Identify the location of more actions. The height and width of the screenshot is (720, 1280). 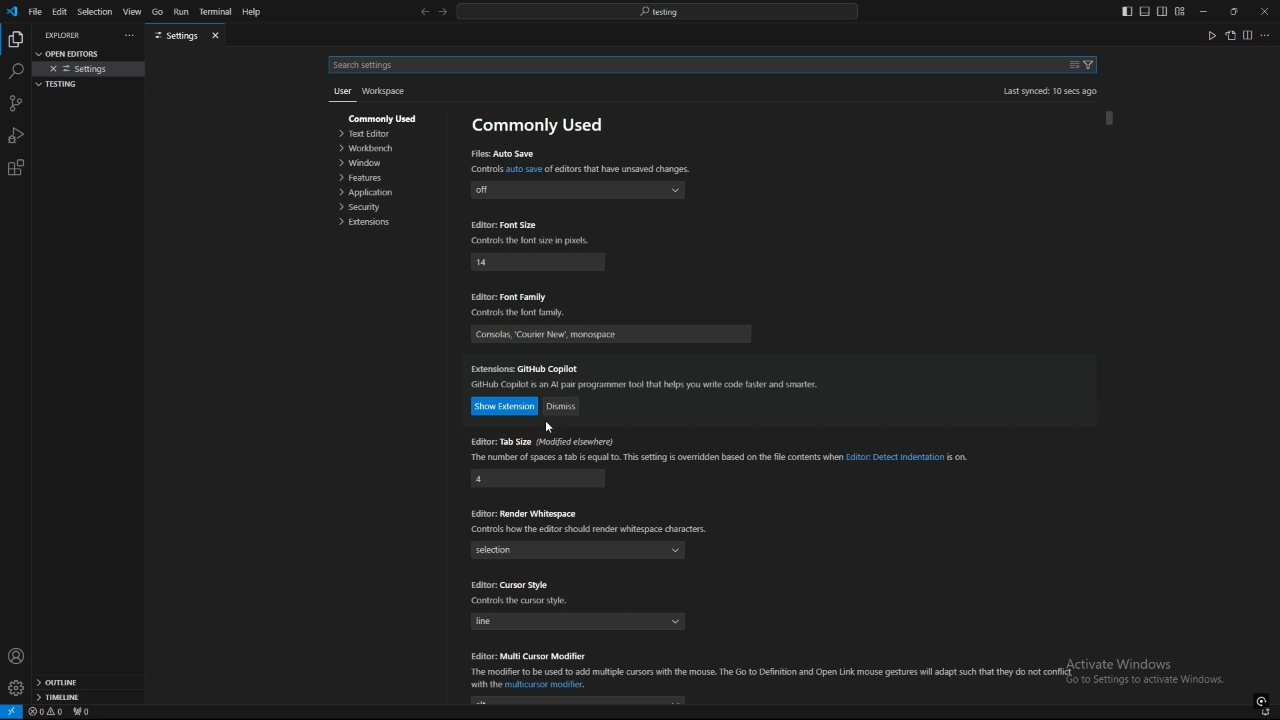
(1266, 35).